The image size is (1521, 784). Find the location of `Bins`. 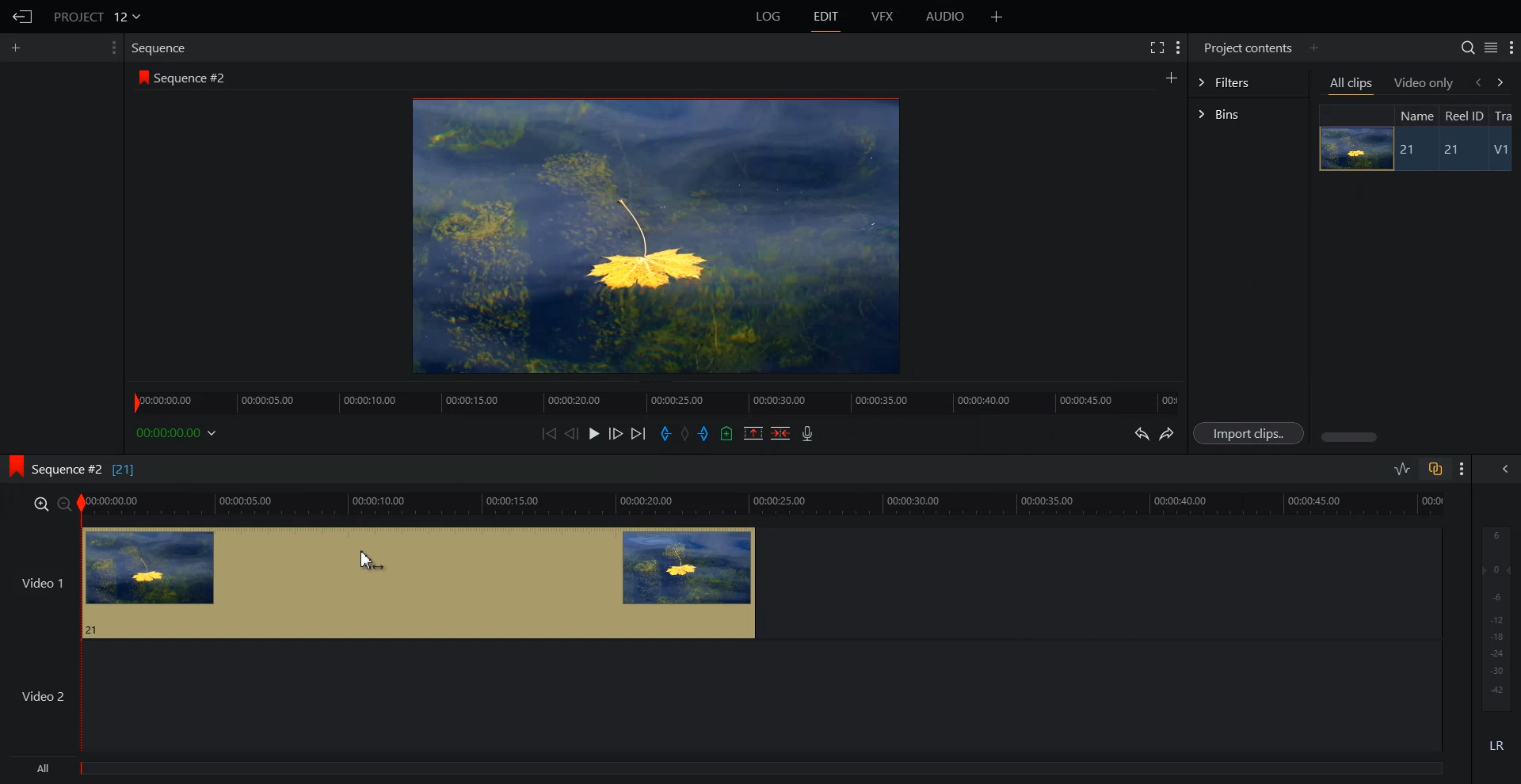

Bins is located at coordinates (1248, 116).